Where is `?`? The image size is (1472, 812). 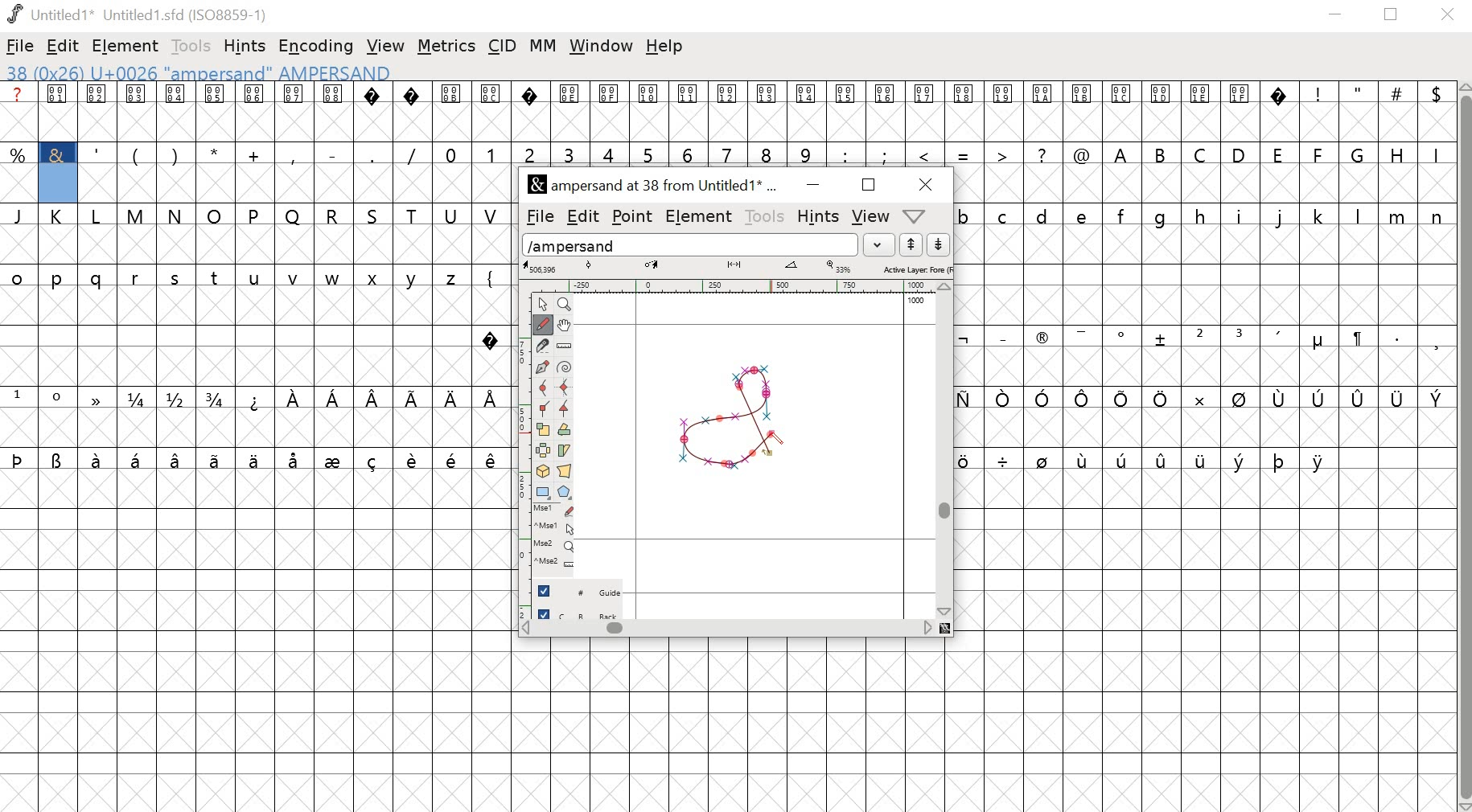 ? is located at coordinates (530, 112).